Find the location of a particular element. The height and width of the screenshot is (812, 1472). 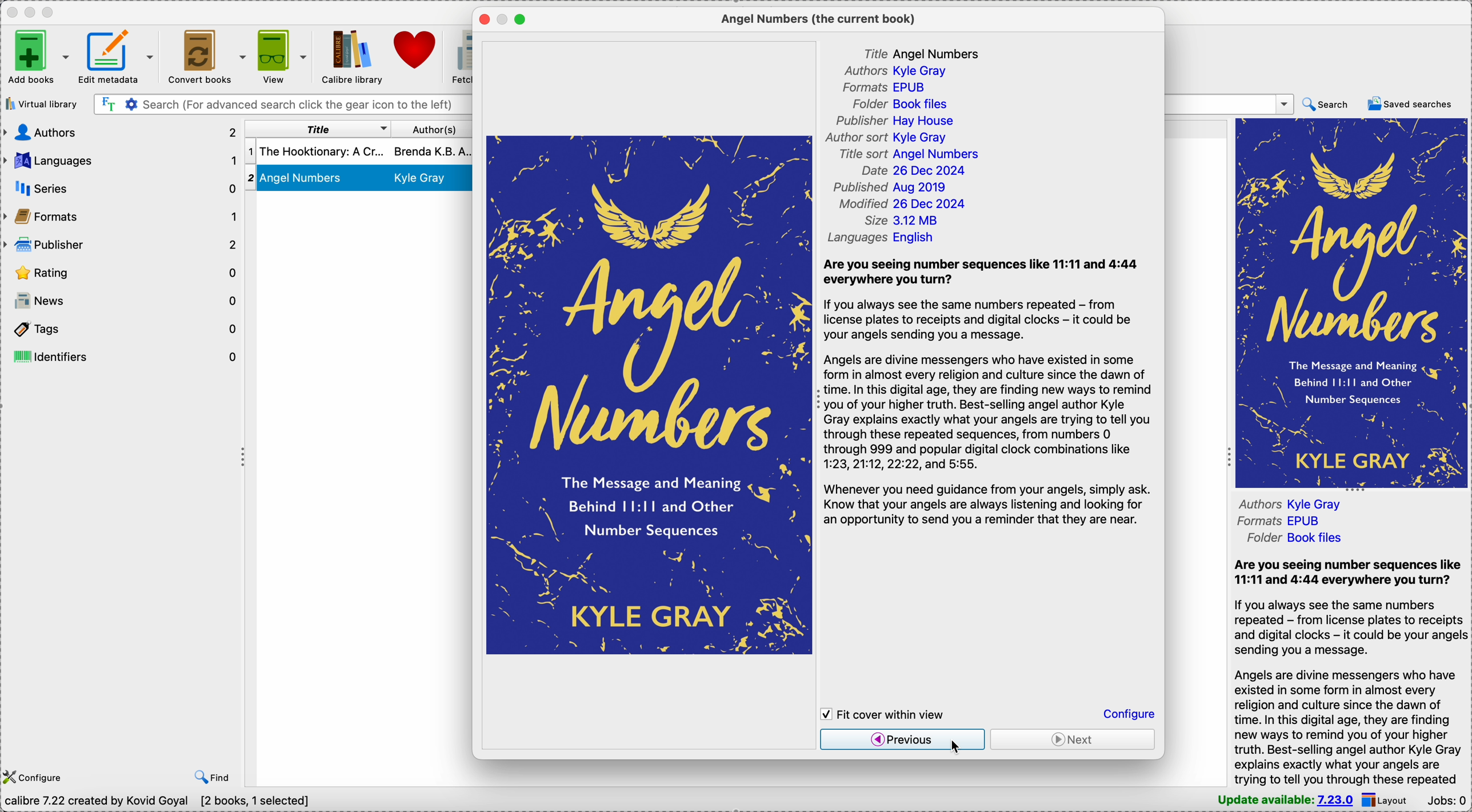

date is located at coordinates (915, 169).